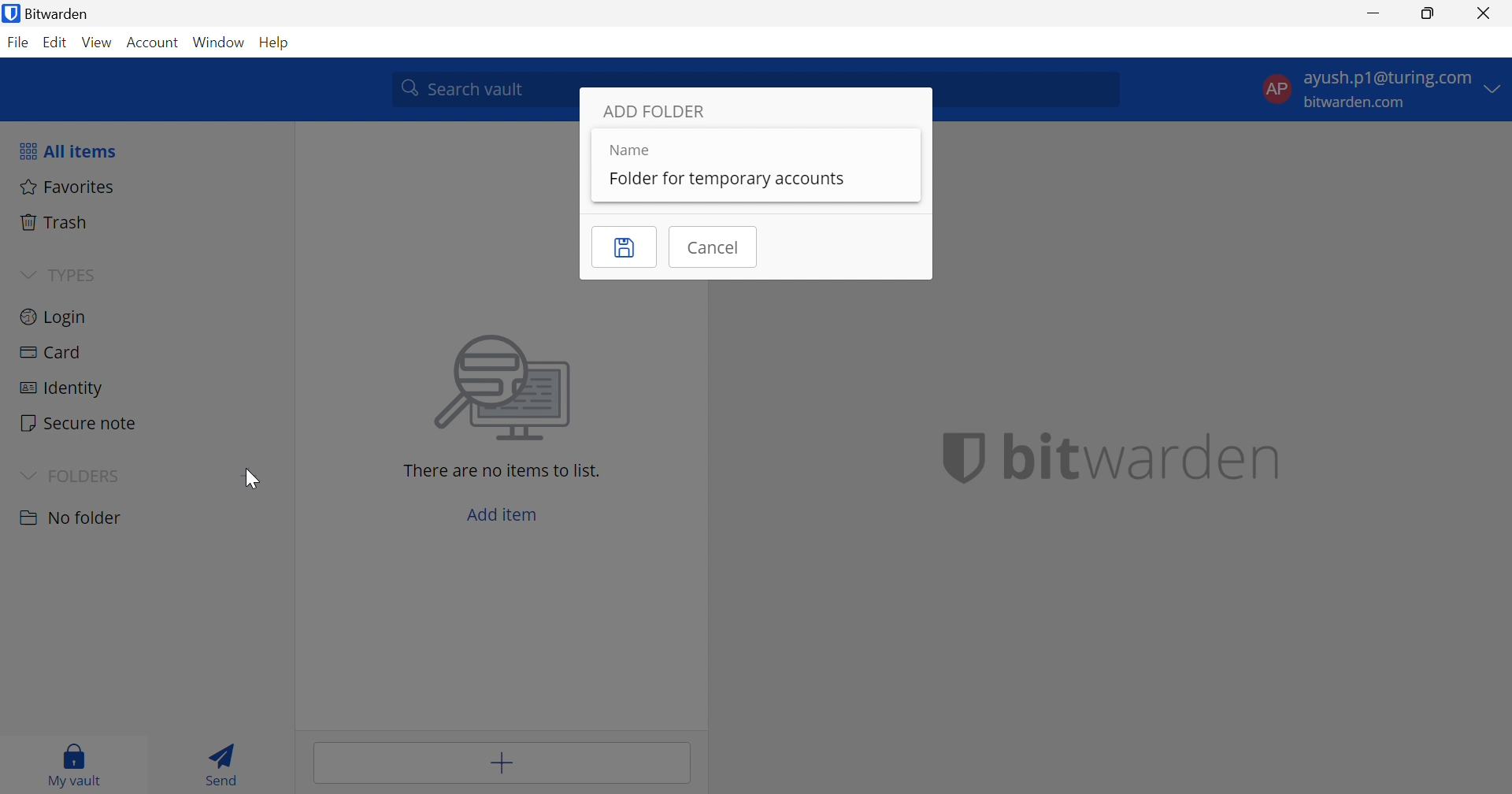 The image size is (1512, 794). I want to click on Save, so click(629, 247).